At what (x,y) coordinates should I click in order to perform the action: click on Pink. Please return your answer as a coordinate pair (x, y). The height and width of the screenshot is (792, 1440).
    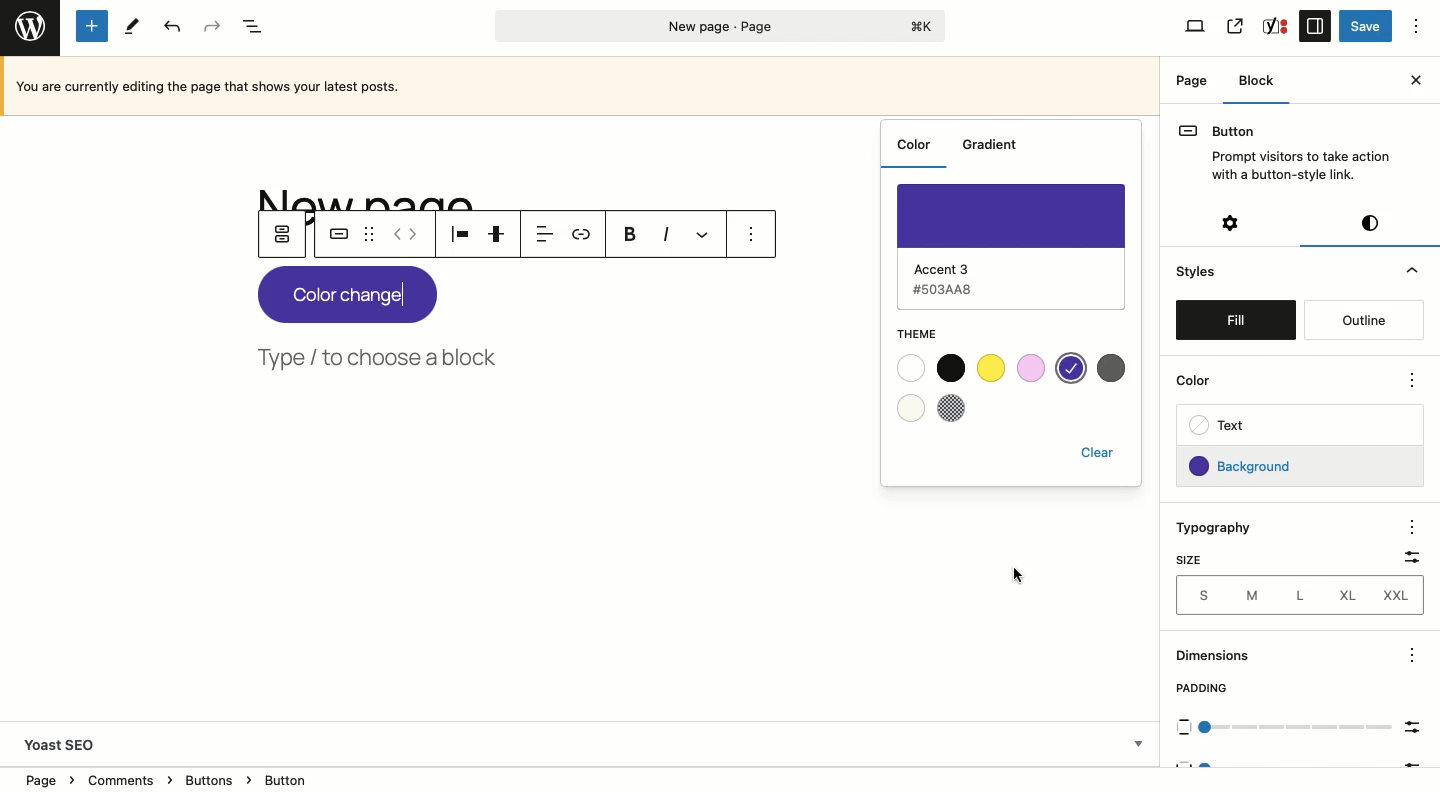
    Looking at the image, I should click on (1030, 369).